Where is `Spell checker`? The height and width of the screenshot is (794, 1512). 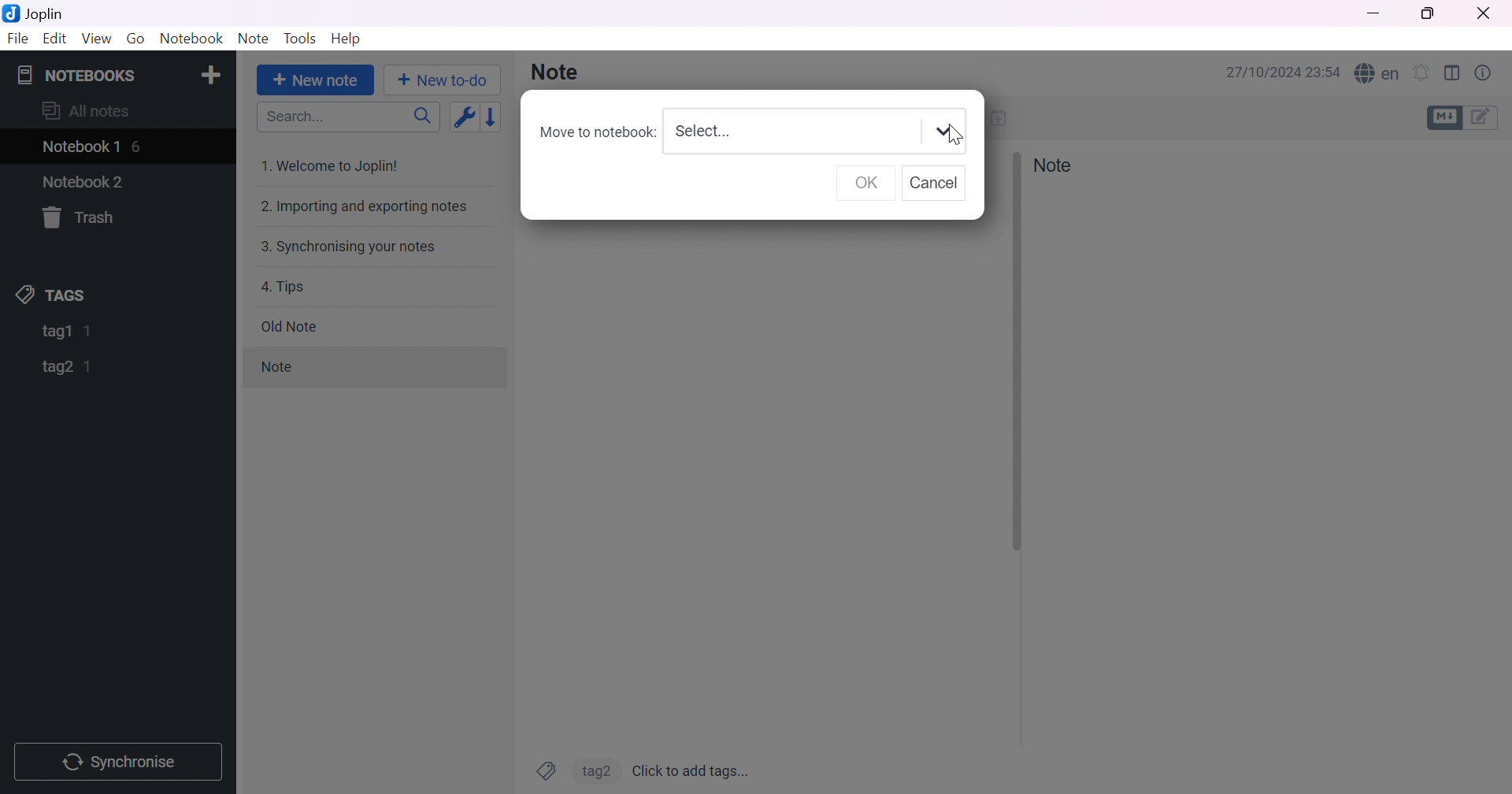
Spell checker is located at coordinates (1377, 71).